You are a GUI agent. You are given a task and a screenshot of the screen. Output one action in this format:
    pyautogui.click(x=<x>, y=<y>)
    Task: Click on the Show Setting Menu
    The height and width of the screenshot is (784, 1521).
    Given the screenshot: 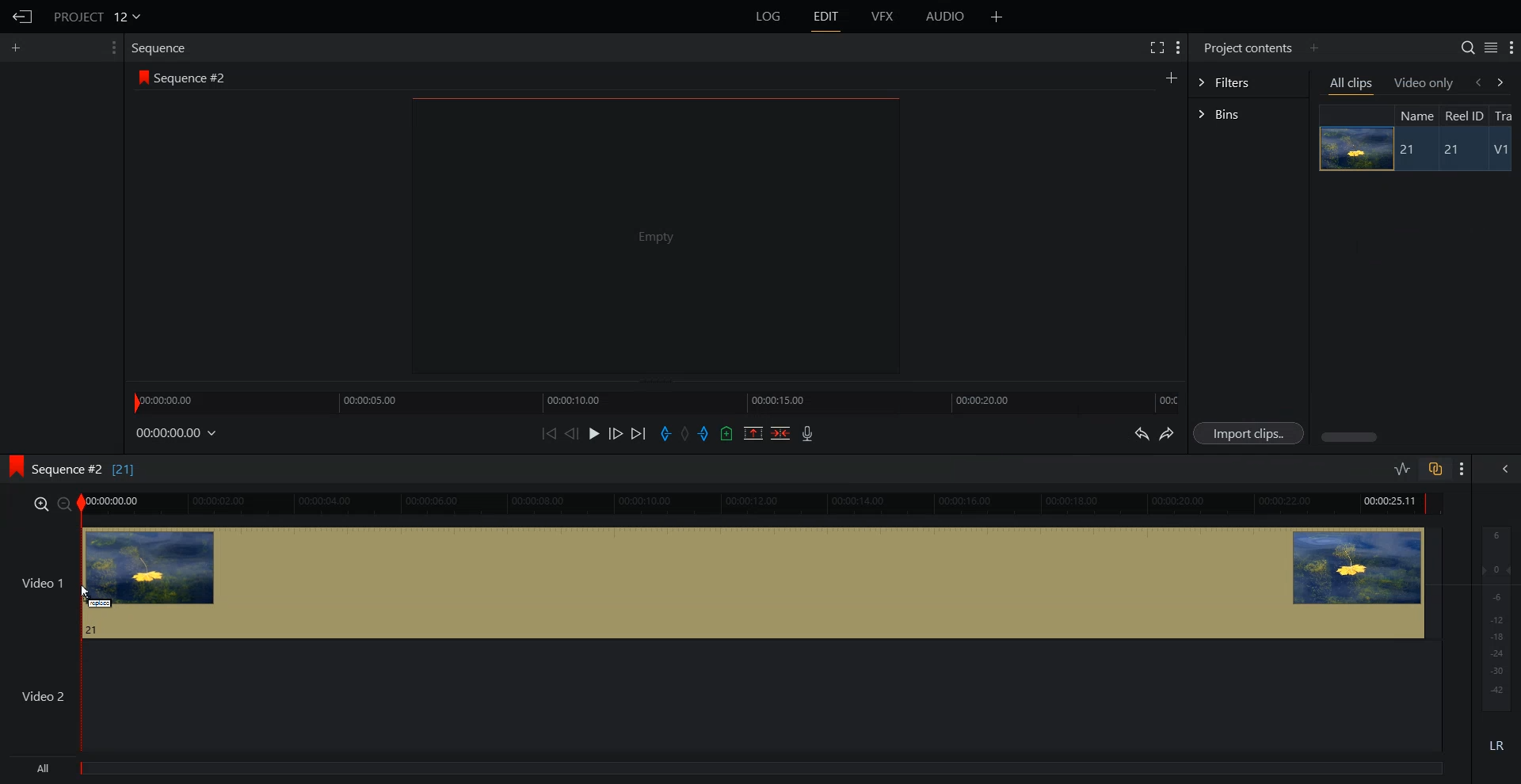 What is the action you would take?
    pyautogui.click(x=1462, y=470)
    